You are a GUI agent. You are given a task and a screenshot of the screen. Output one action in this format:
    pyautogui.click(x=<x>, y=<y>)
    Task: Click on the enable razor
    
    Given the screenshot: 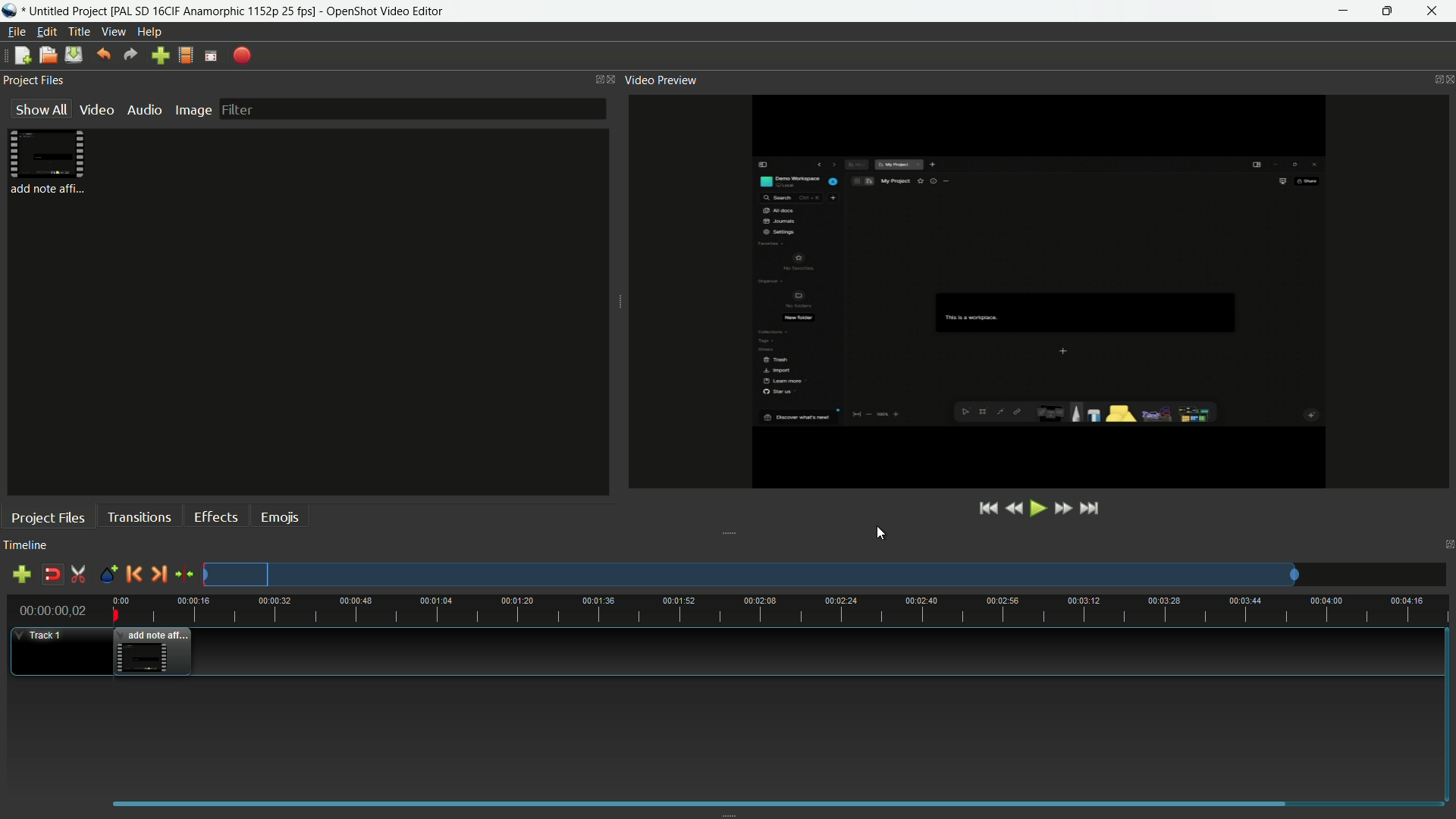 What is the action you would take?
    pyautogui.click(x=79, y=575)
    